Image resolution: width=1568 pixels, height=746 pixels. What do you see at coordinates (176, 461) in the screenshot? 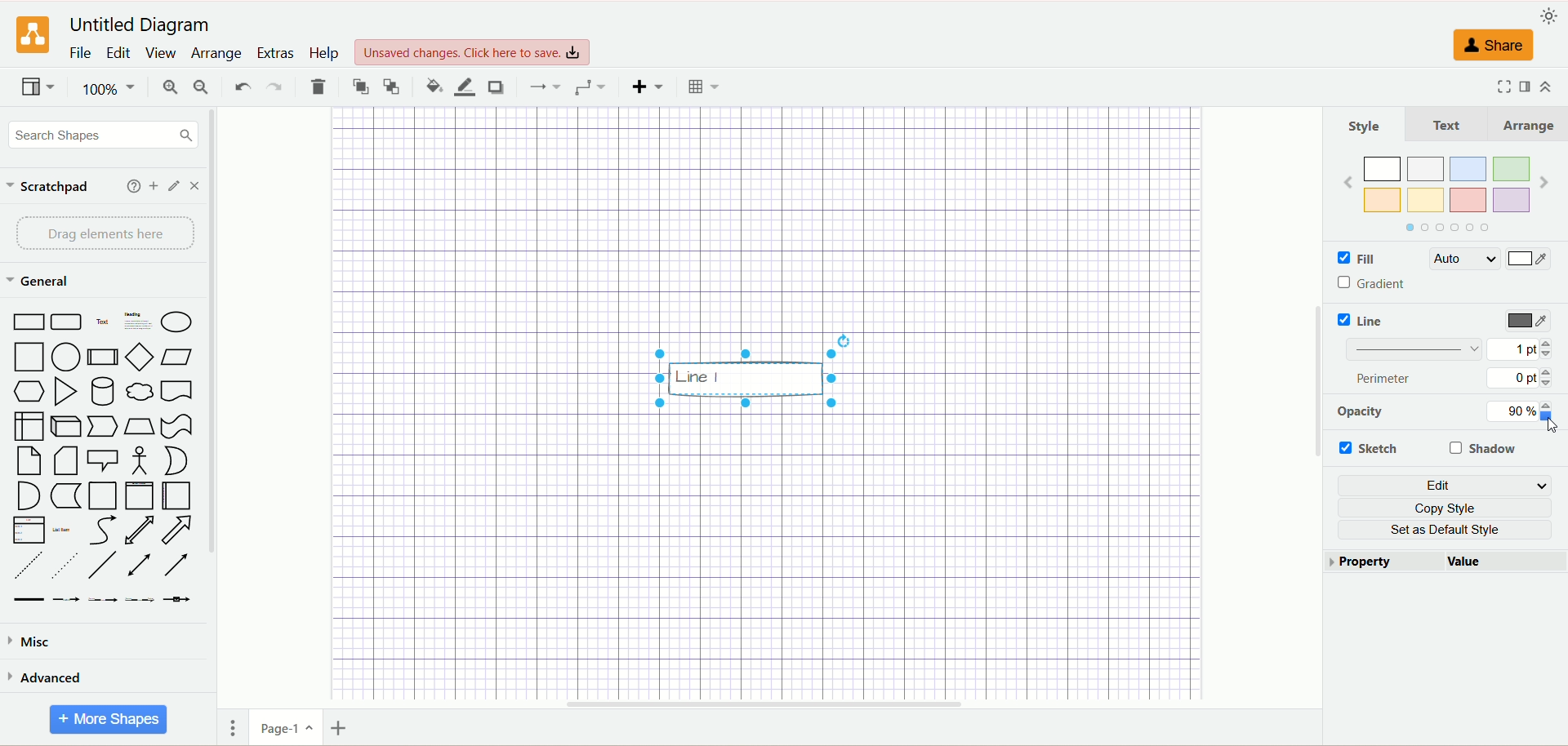
I see `Or` at bounding box center [176, 461].